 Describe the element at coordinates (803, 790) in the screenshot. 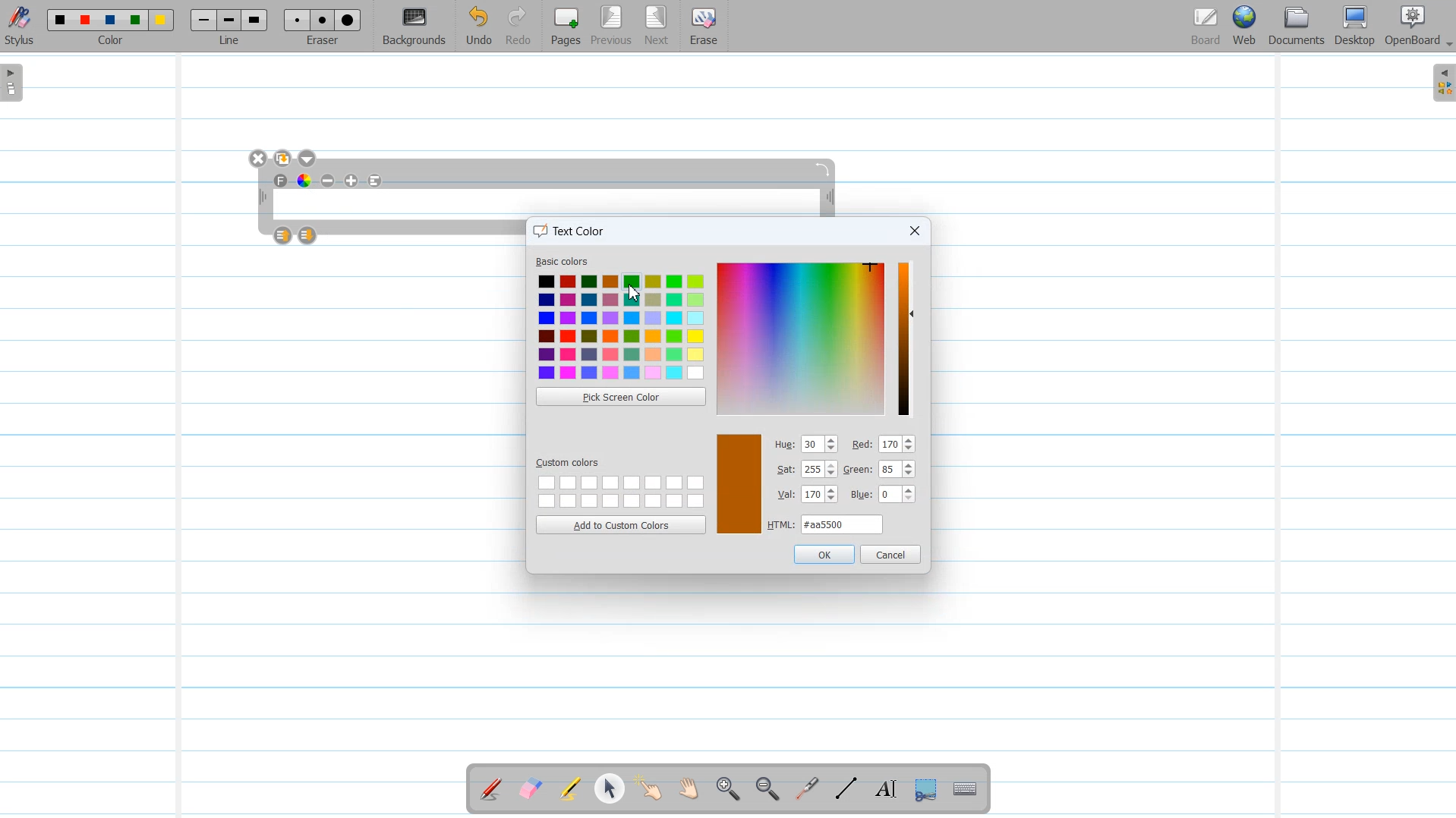

I see `Virtual Laser Pointer` at that location.